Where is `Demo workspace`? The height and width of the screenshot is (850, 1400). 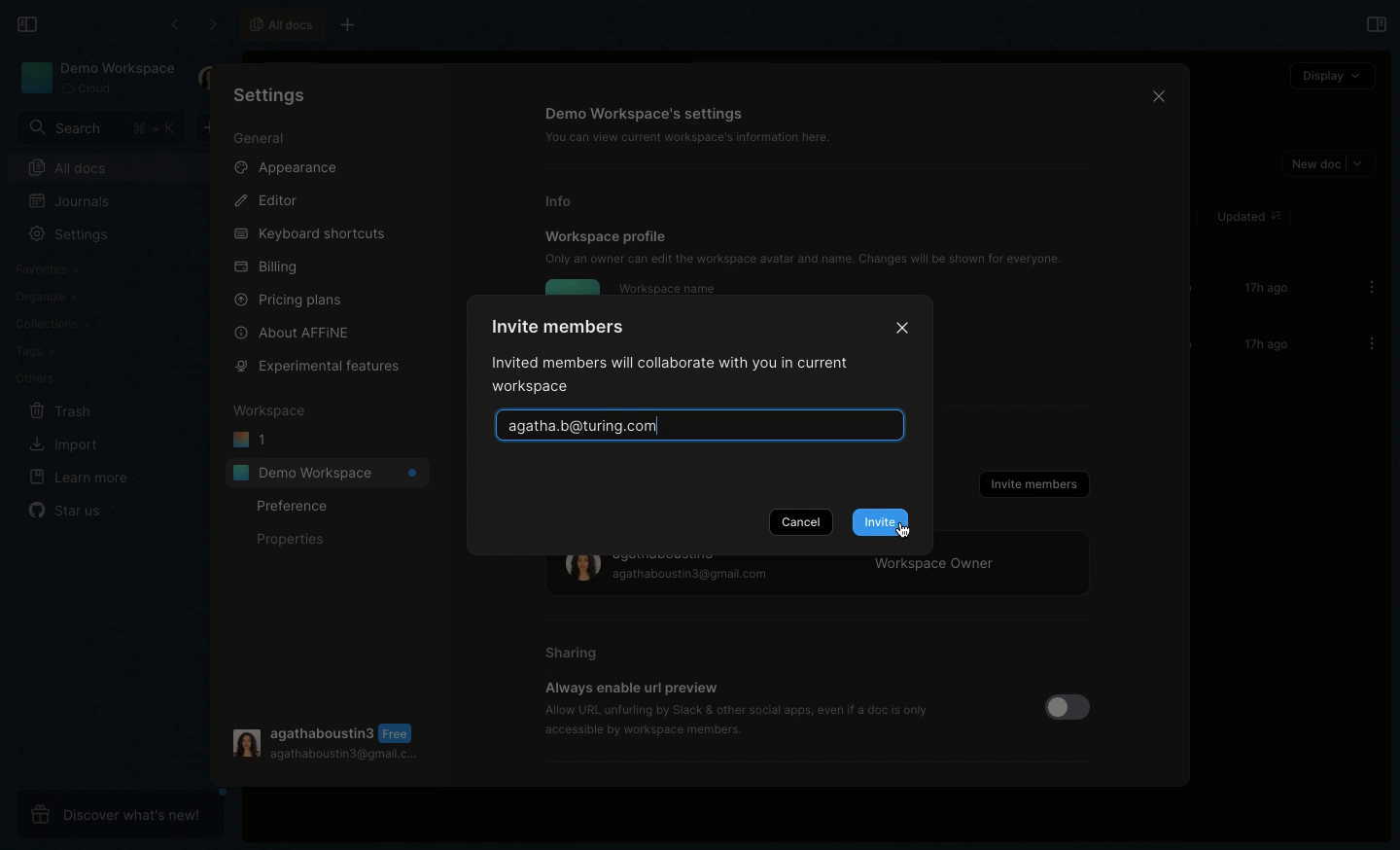
Demo workspace is located at coordinates (327, 472).